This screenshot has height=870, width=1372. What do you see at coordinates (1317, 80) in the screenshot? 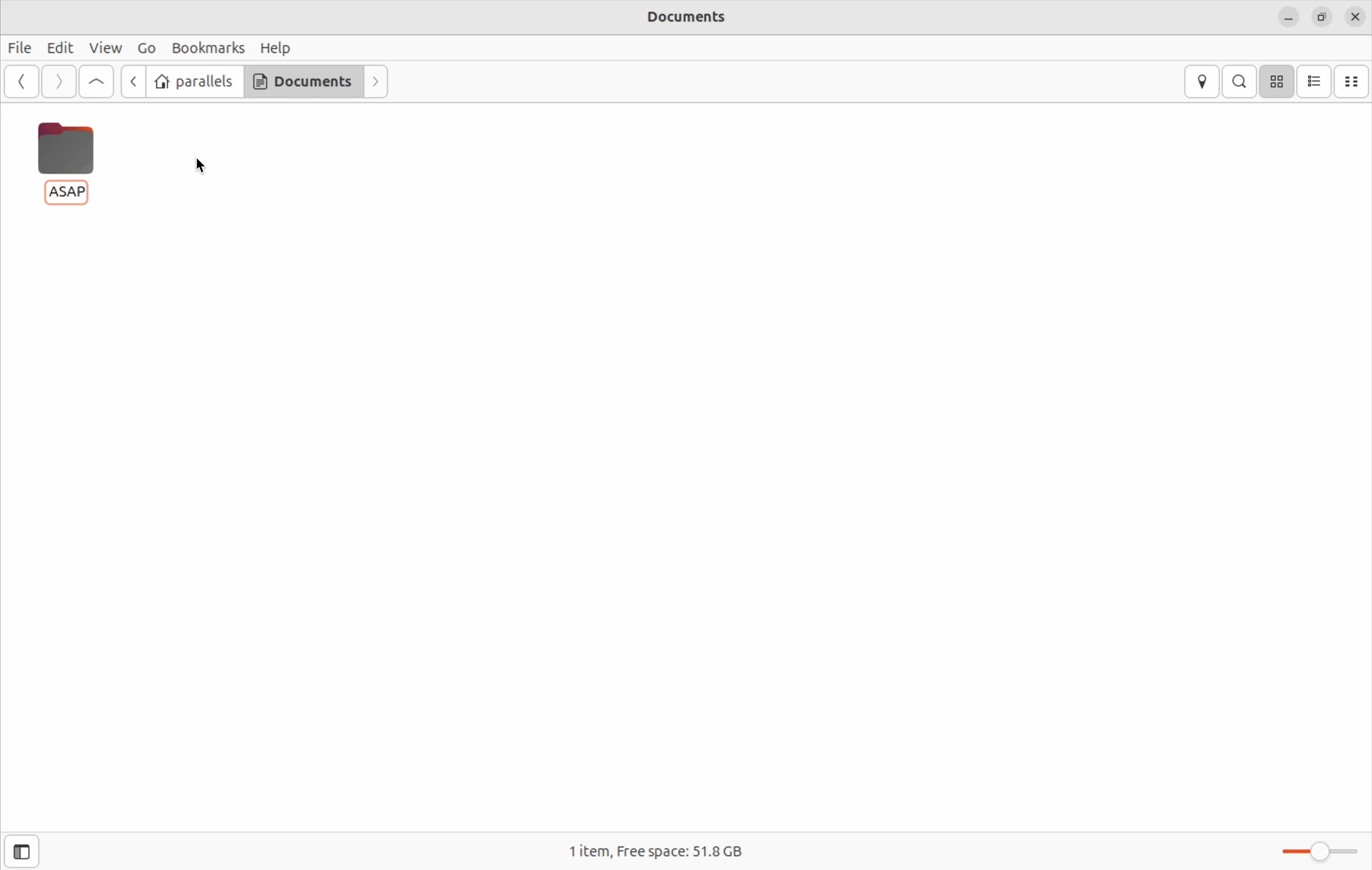
I see `list view` at bounding box center [1317, 80].